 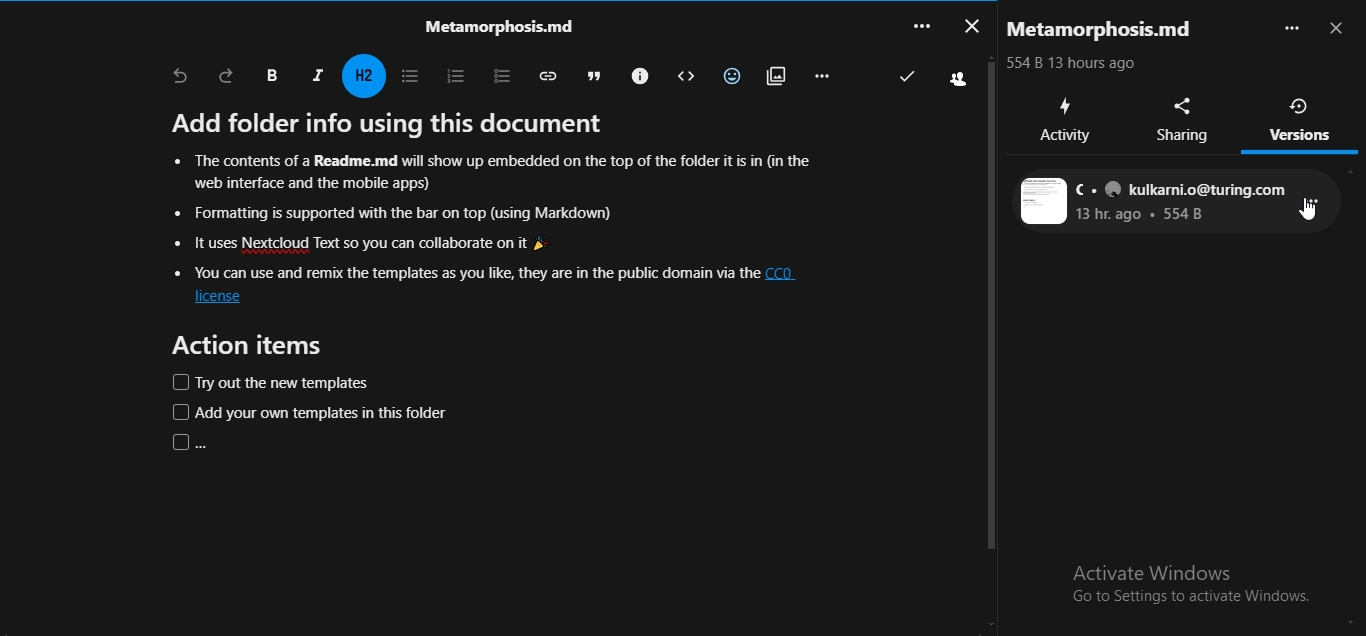 What do you see at coordinates (227, 75) in the screenshot?
I see `redo` at bounding box center [227, 75].